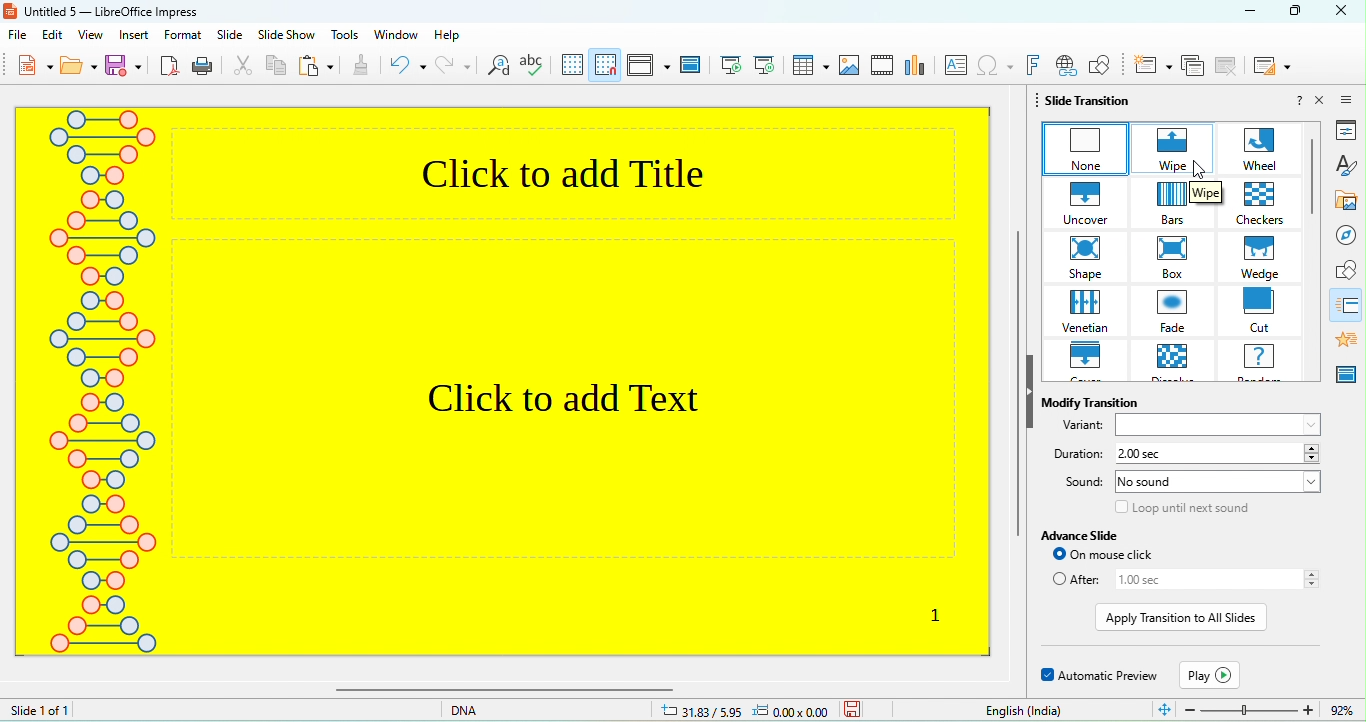  Describe the element at coordinates (1074, 454) in the screenshot. I see `duration` at that location.